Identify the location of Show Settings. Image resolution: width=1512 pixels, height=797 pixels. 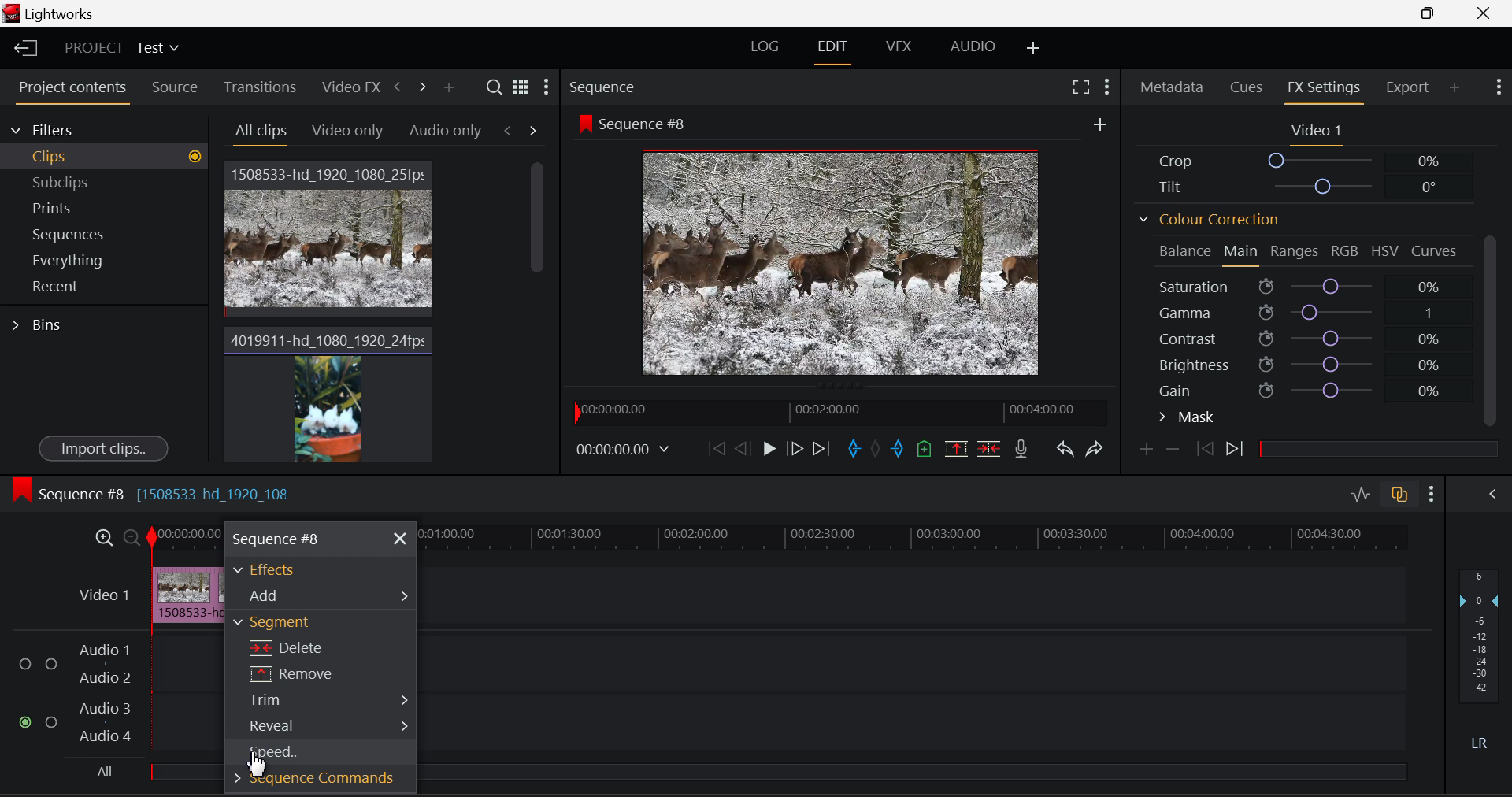
(1429, 493).